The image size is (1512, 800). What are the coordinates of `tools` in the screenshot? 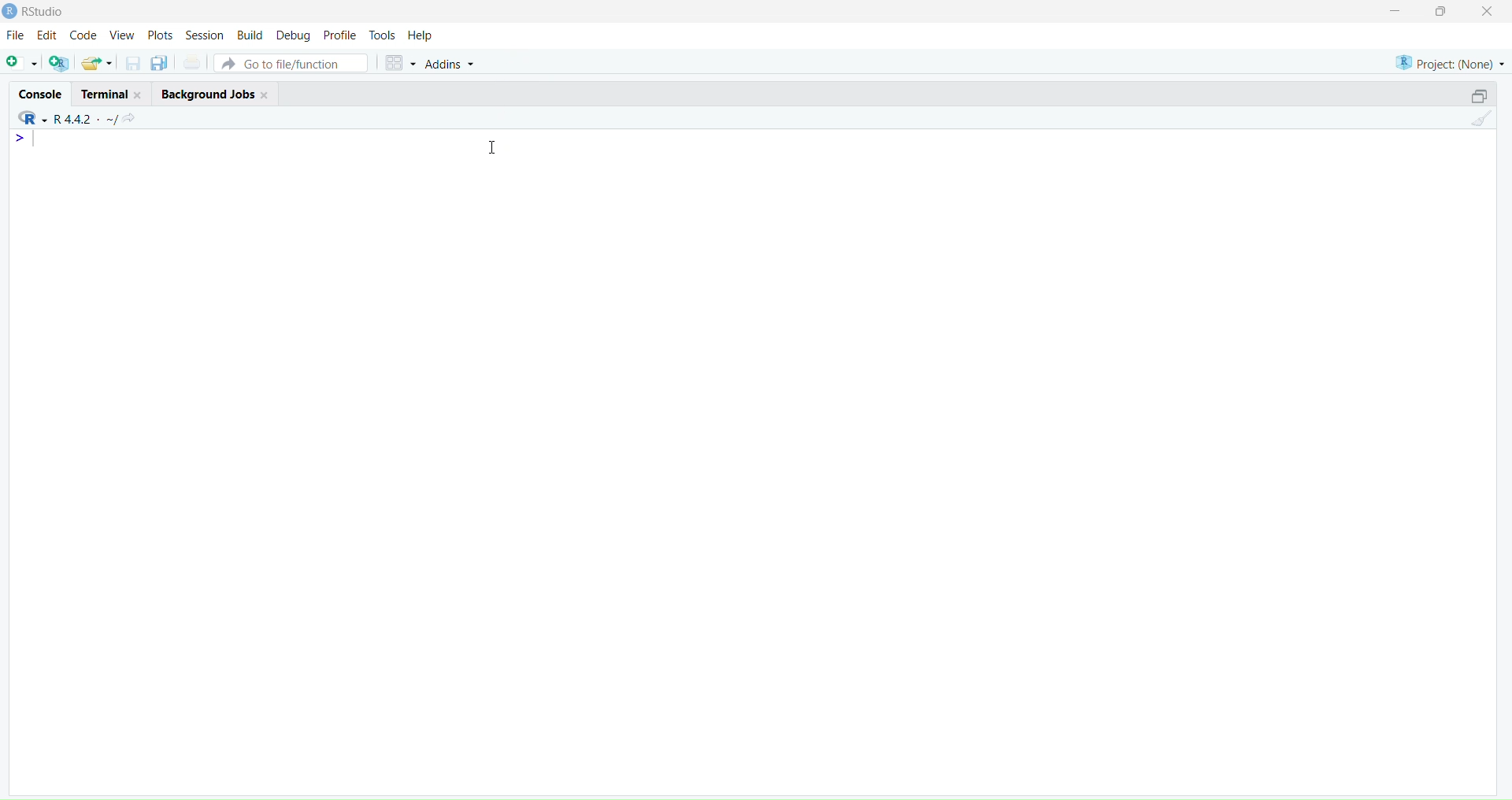 It's located at (382, 35).